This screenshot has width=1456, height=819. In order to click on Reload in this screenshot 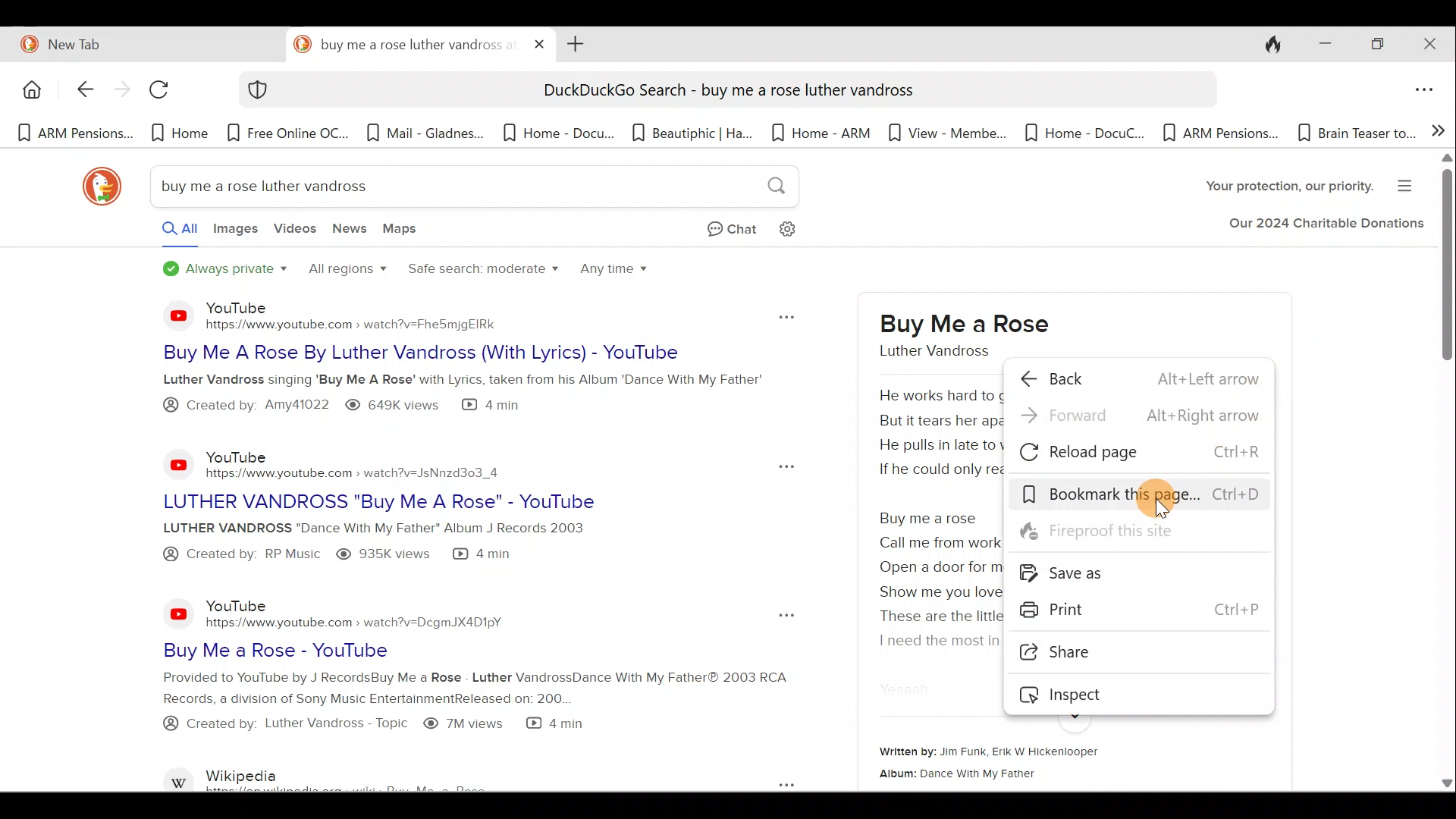, I will do `click(166, 95)`.